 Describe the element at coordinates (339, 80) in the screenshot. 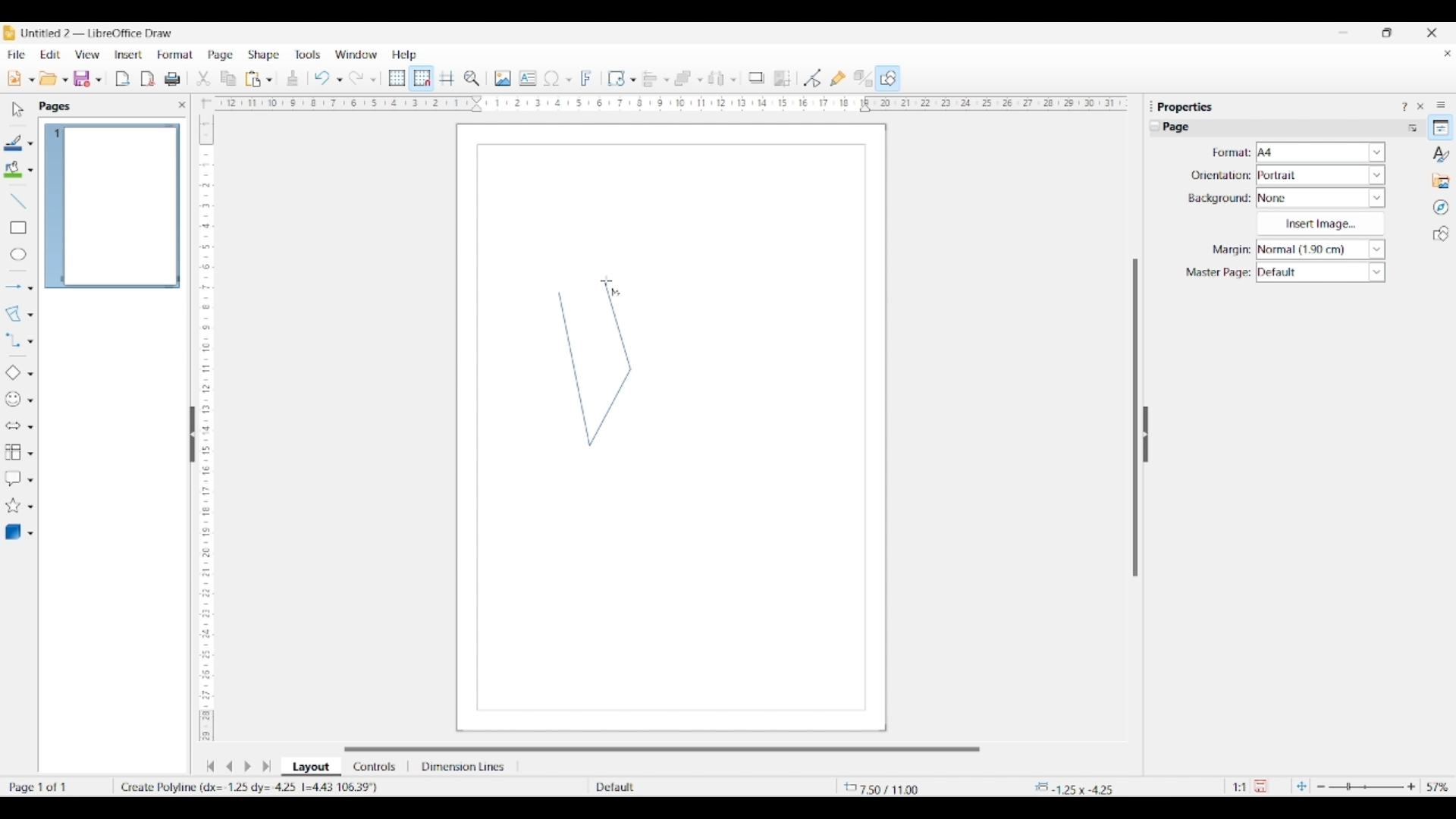

I see `Undo specific actions` at that location.